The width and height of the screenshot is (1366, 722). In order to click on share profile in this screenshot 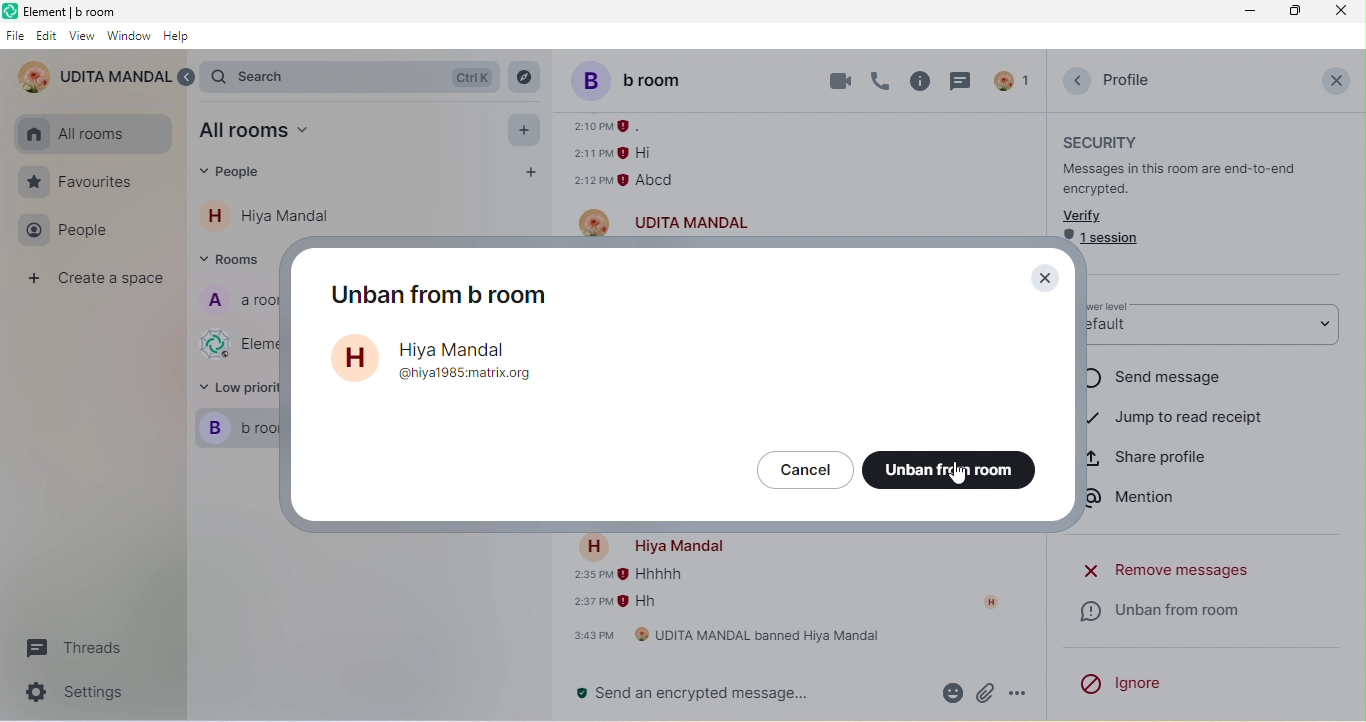, I will do `click(1176, 456)`.